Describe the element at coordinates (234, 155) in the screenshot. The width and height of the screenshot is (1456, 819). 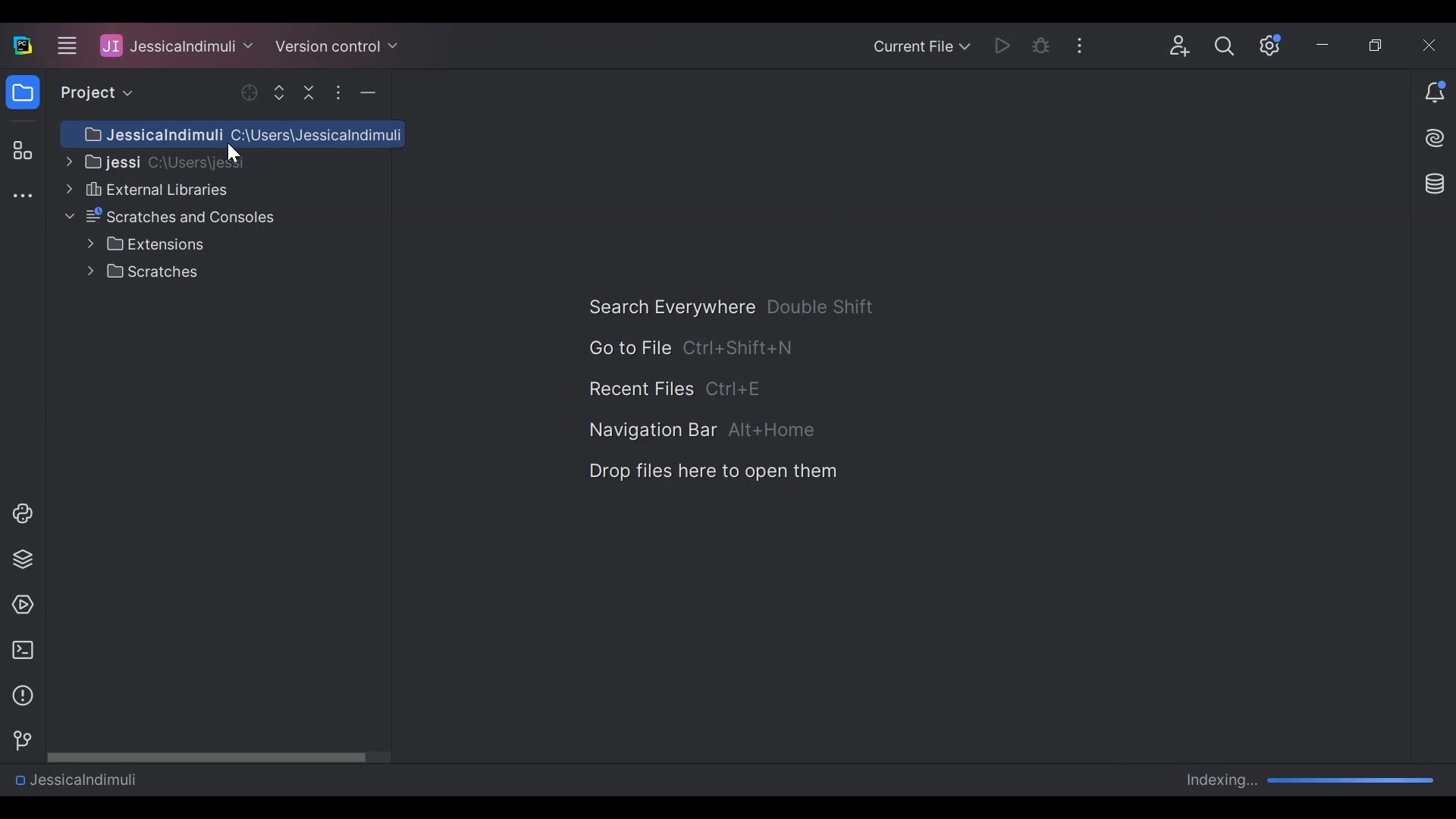
I see `Cursor` at that location.